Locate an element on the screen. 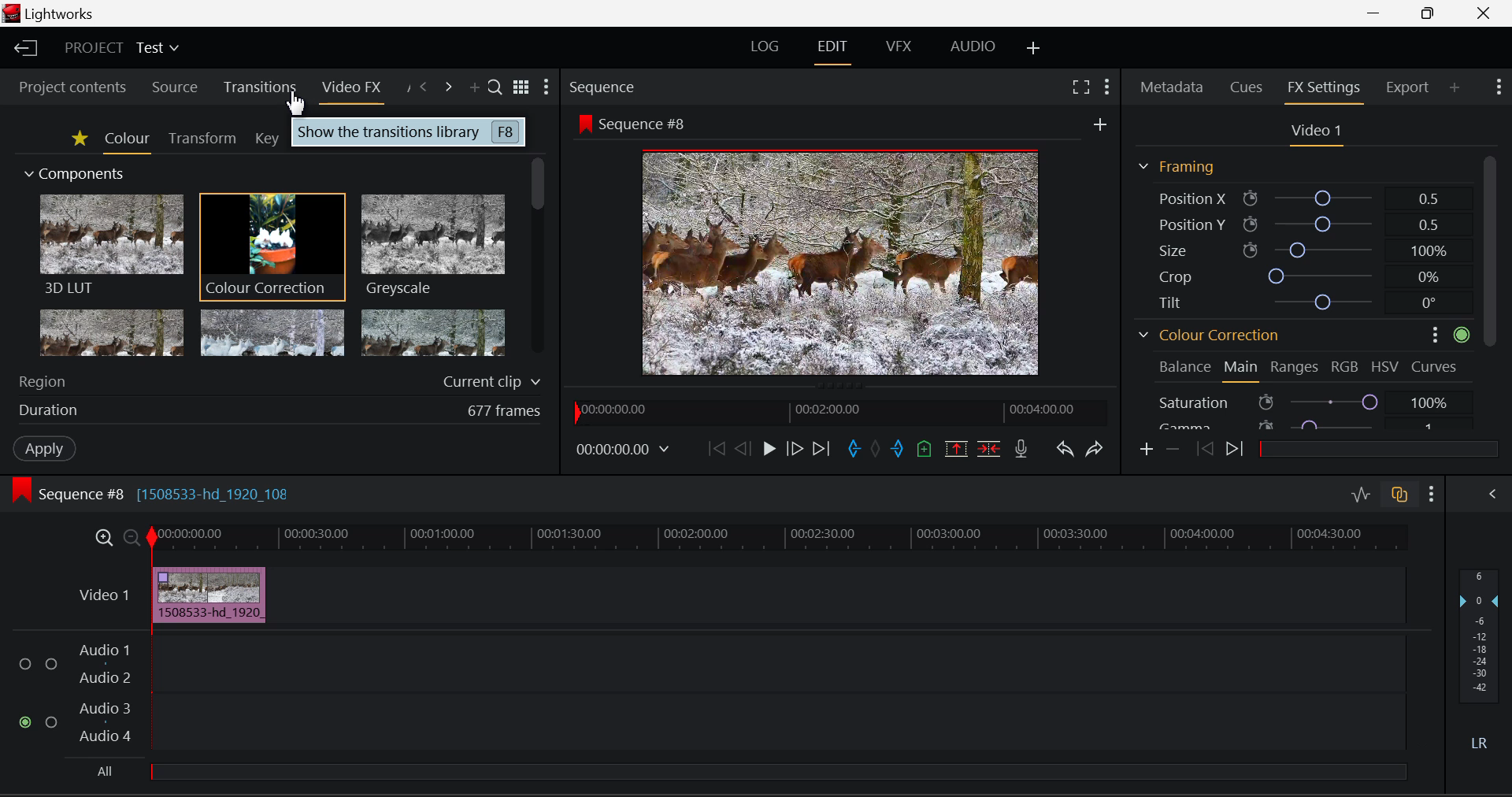 This screenshot has width=1512, height=797. Preview Screen Altered is located at coordinates (835, 260).